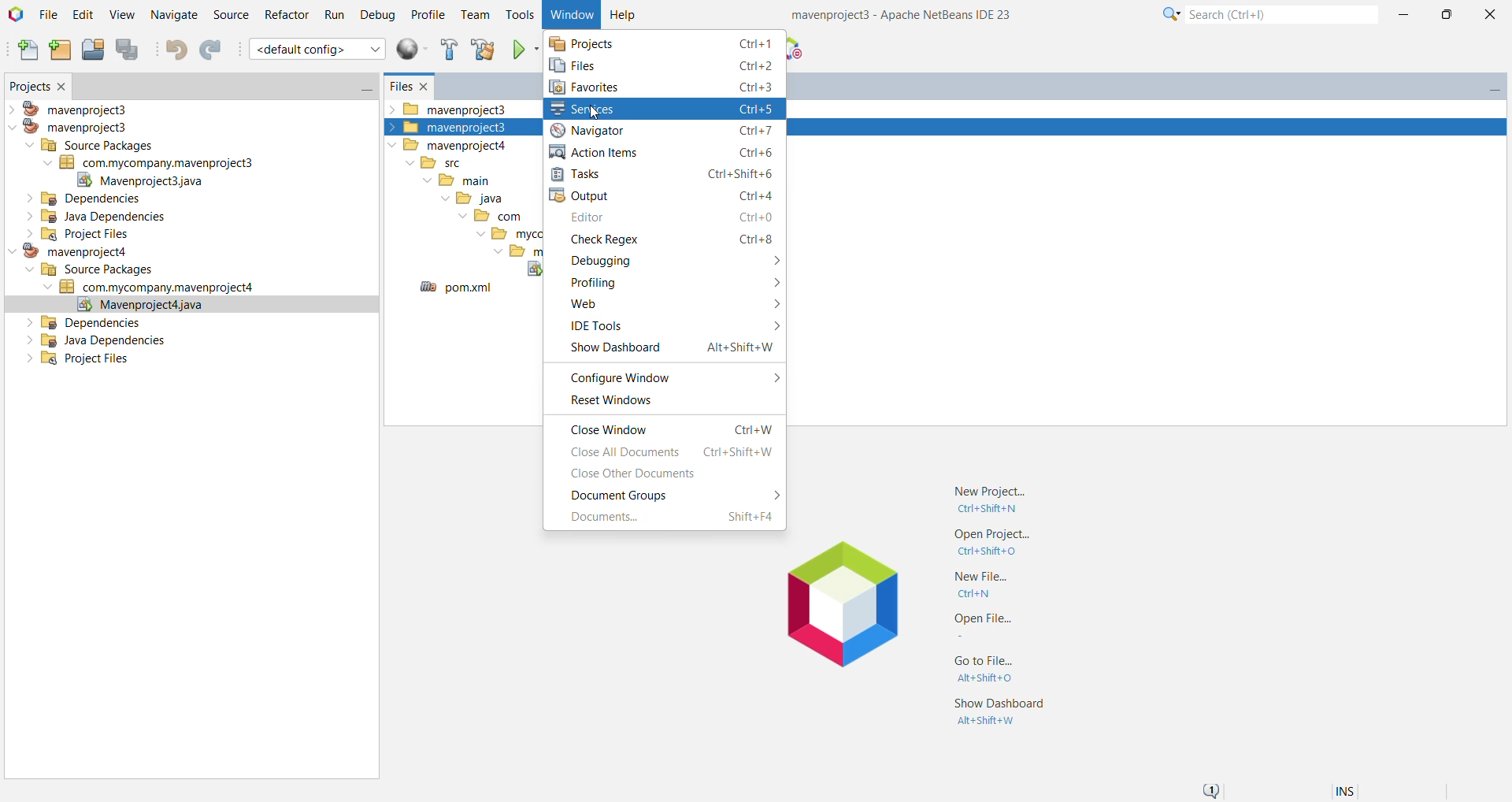 The image size is (1512, 802). I want to click on Team, so click(475, 16).